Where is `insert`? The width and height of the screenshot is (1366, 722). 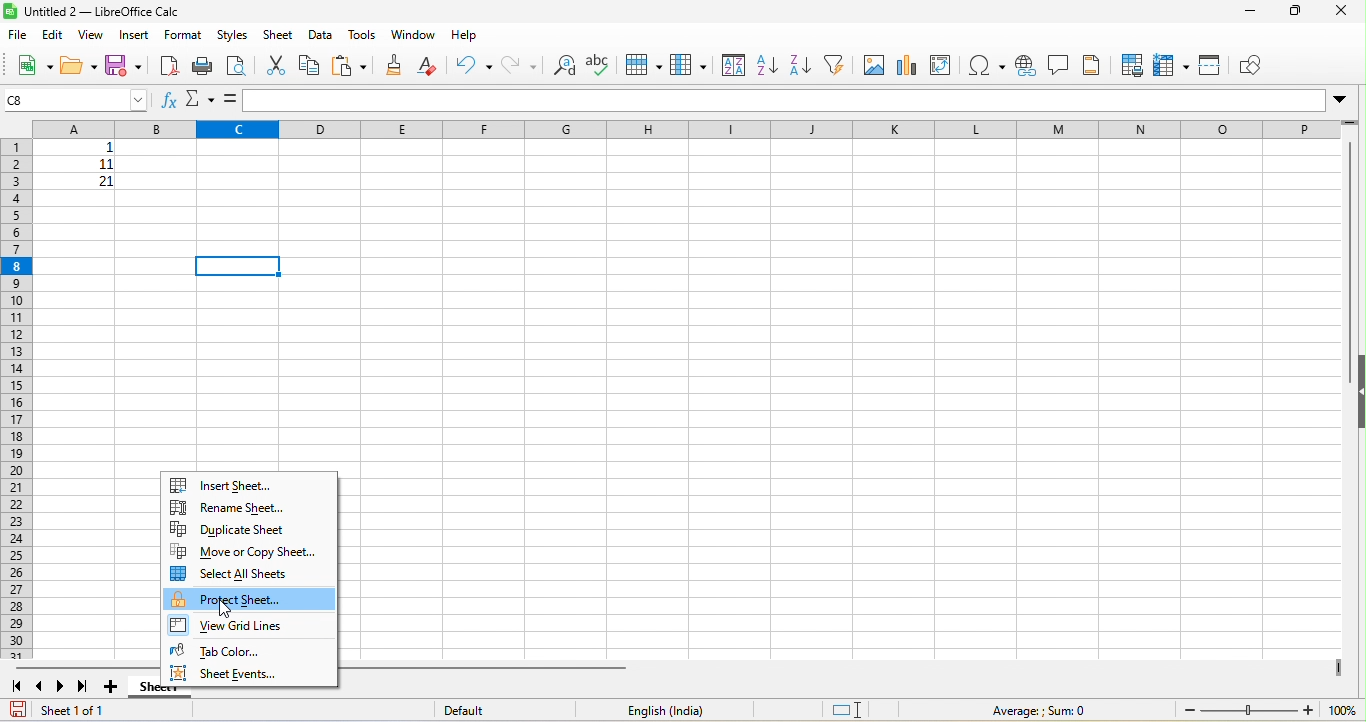 insert is located at coordinates (135, 35).